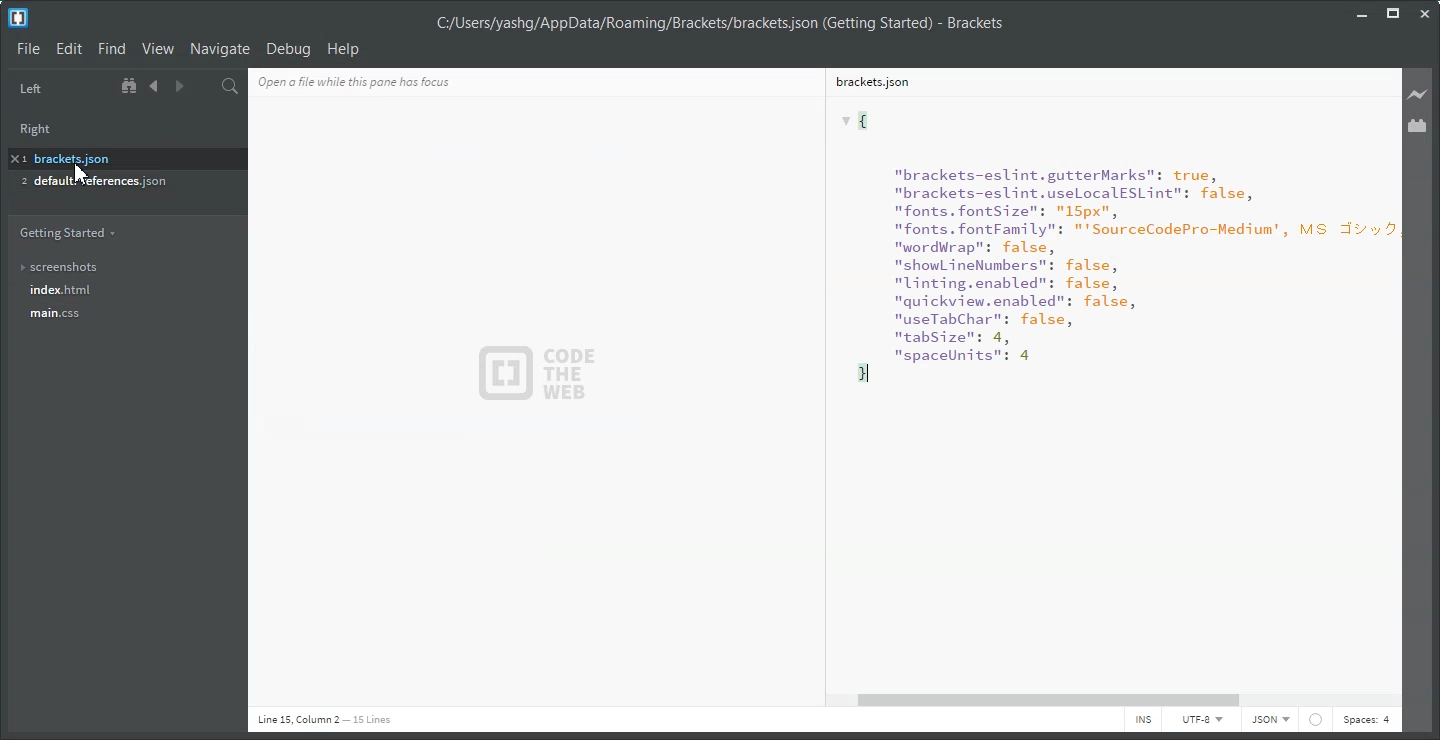 This screenshot has height=740, width=1440. I want to click on Logo, so click(18, 18).